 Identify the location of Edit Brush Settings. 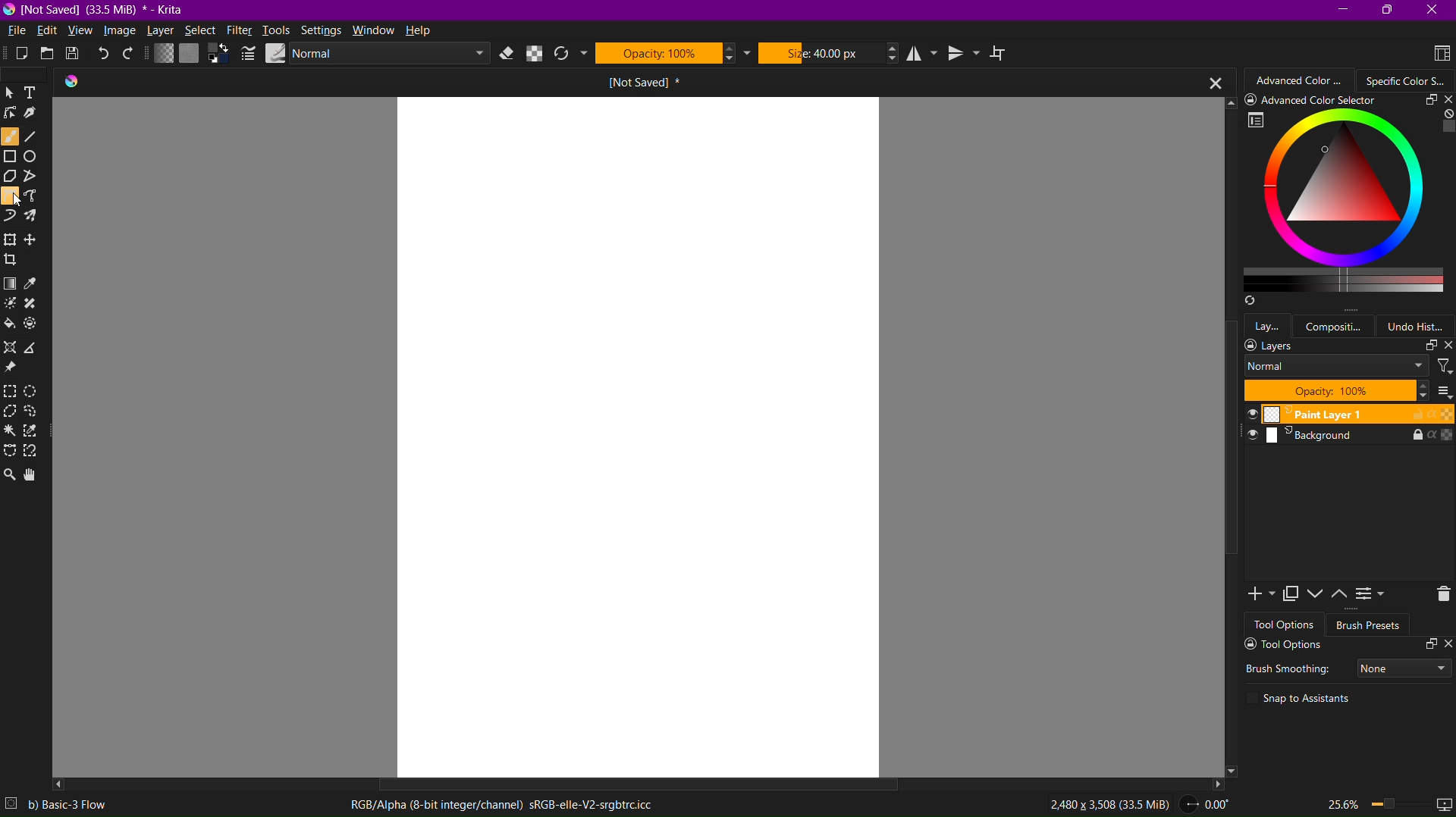
(246, 54).